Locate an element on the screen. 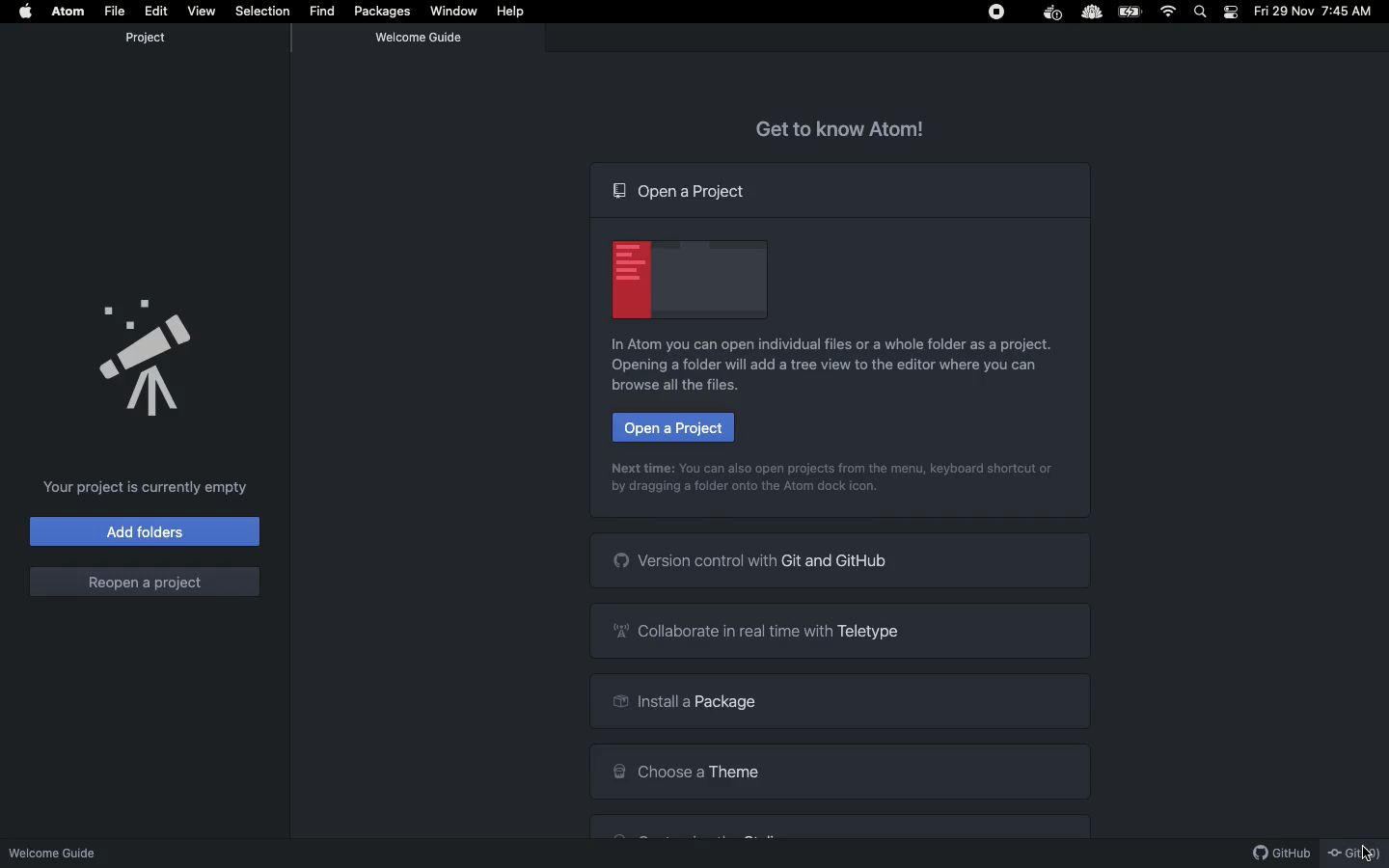 The height and width of the screenshot is (868, 1389). cursor is located at coordinates (1362, 850).